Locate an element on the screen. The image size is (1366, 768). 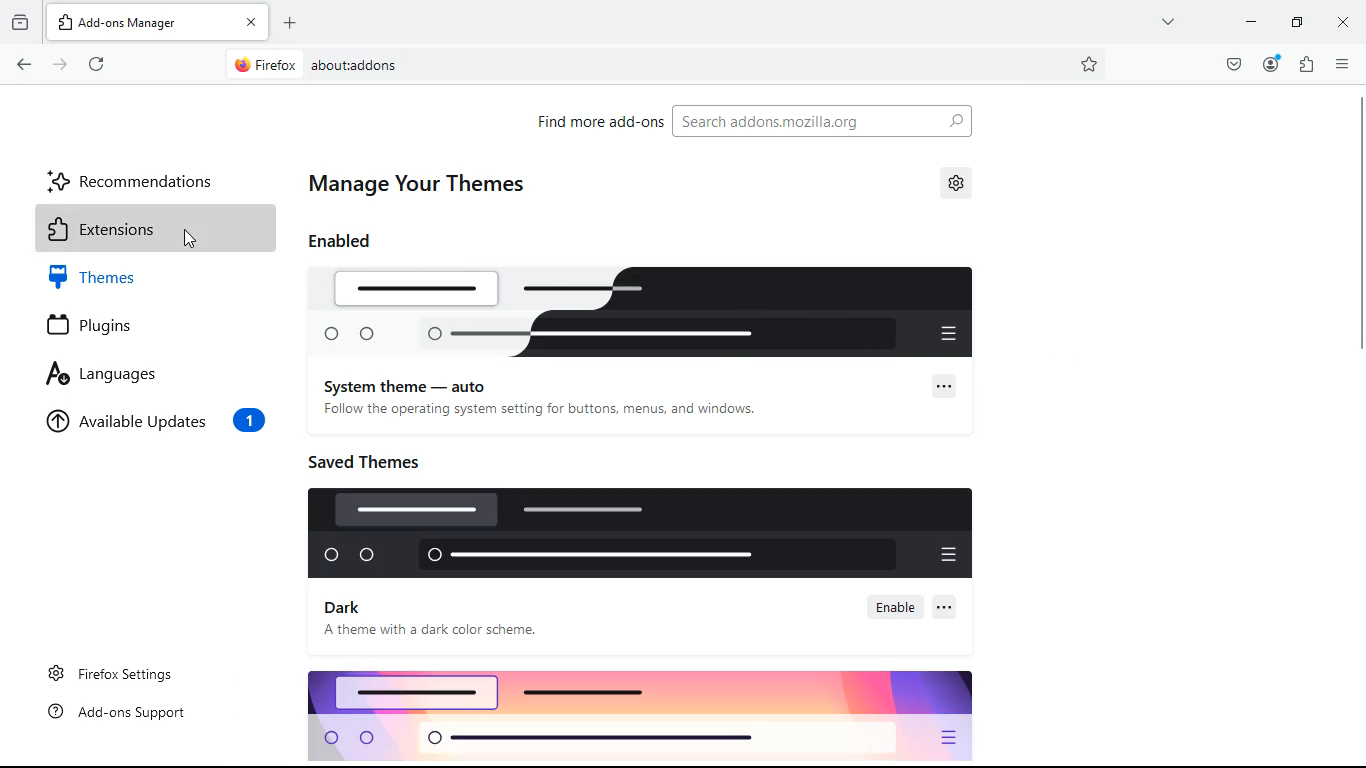
settings is located at coordinates (957, 182).